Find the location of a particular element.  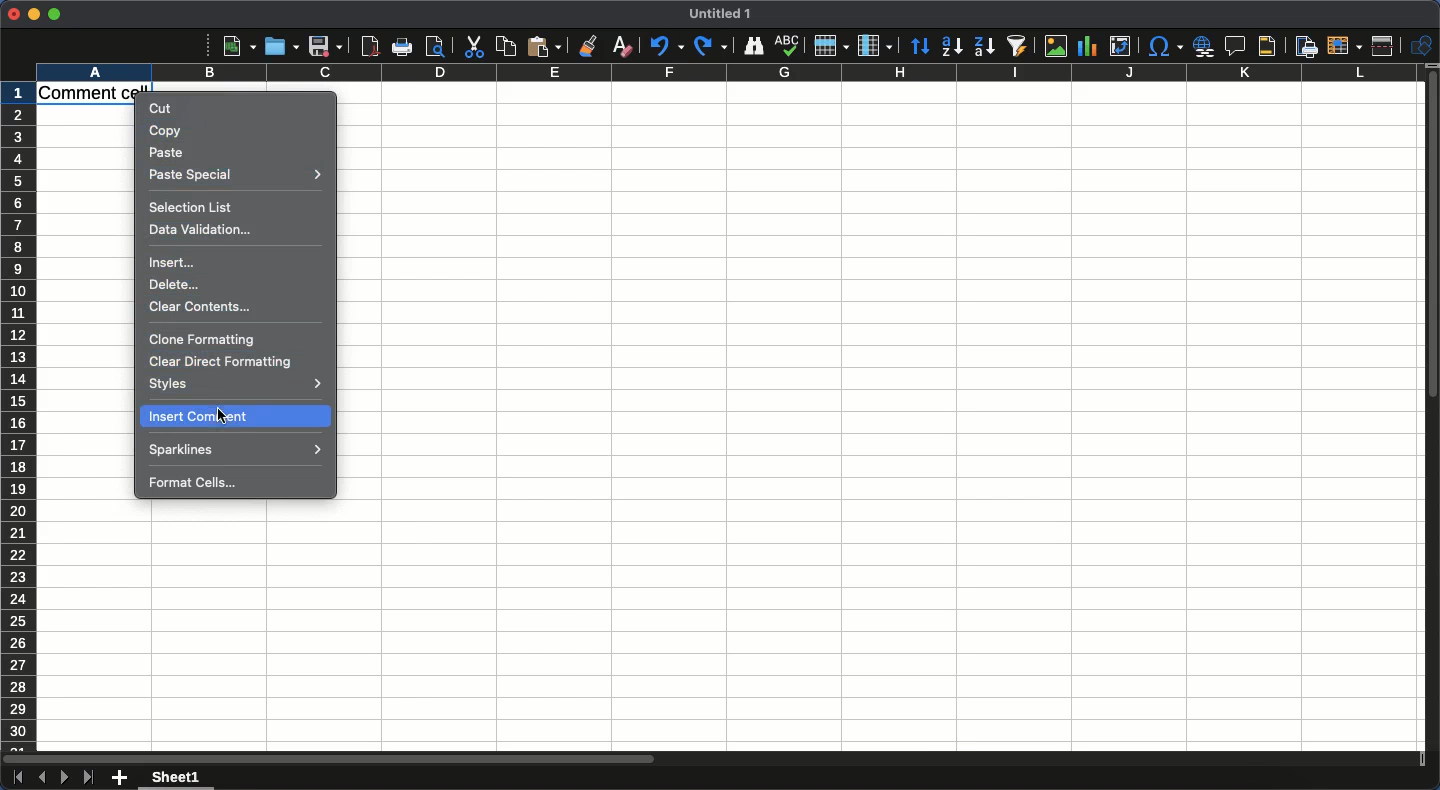

Finder is located at coordinates (755, 45).